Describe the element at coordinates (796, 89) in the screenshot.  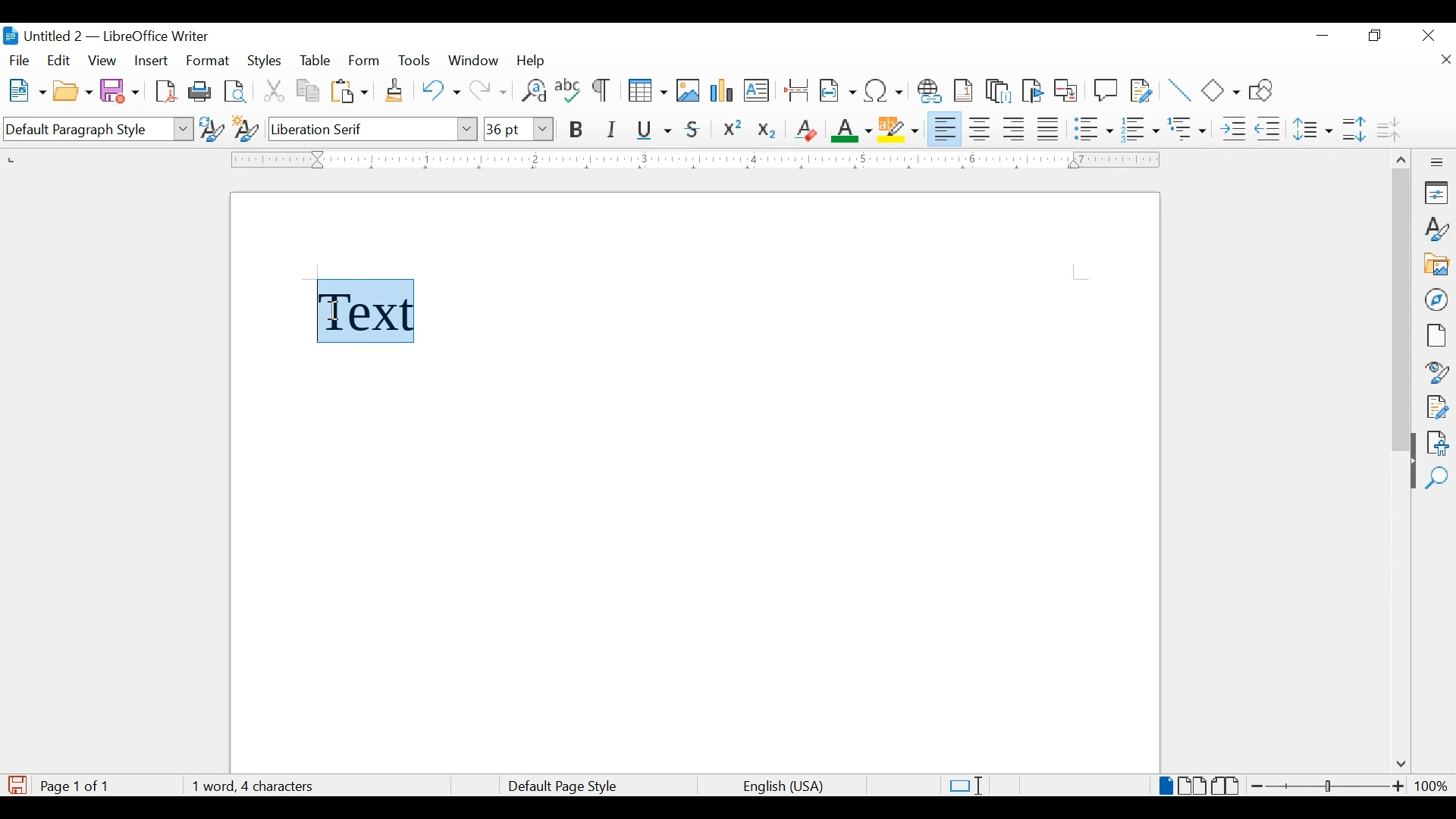
I see `insert page break` at that location.